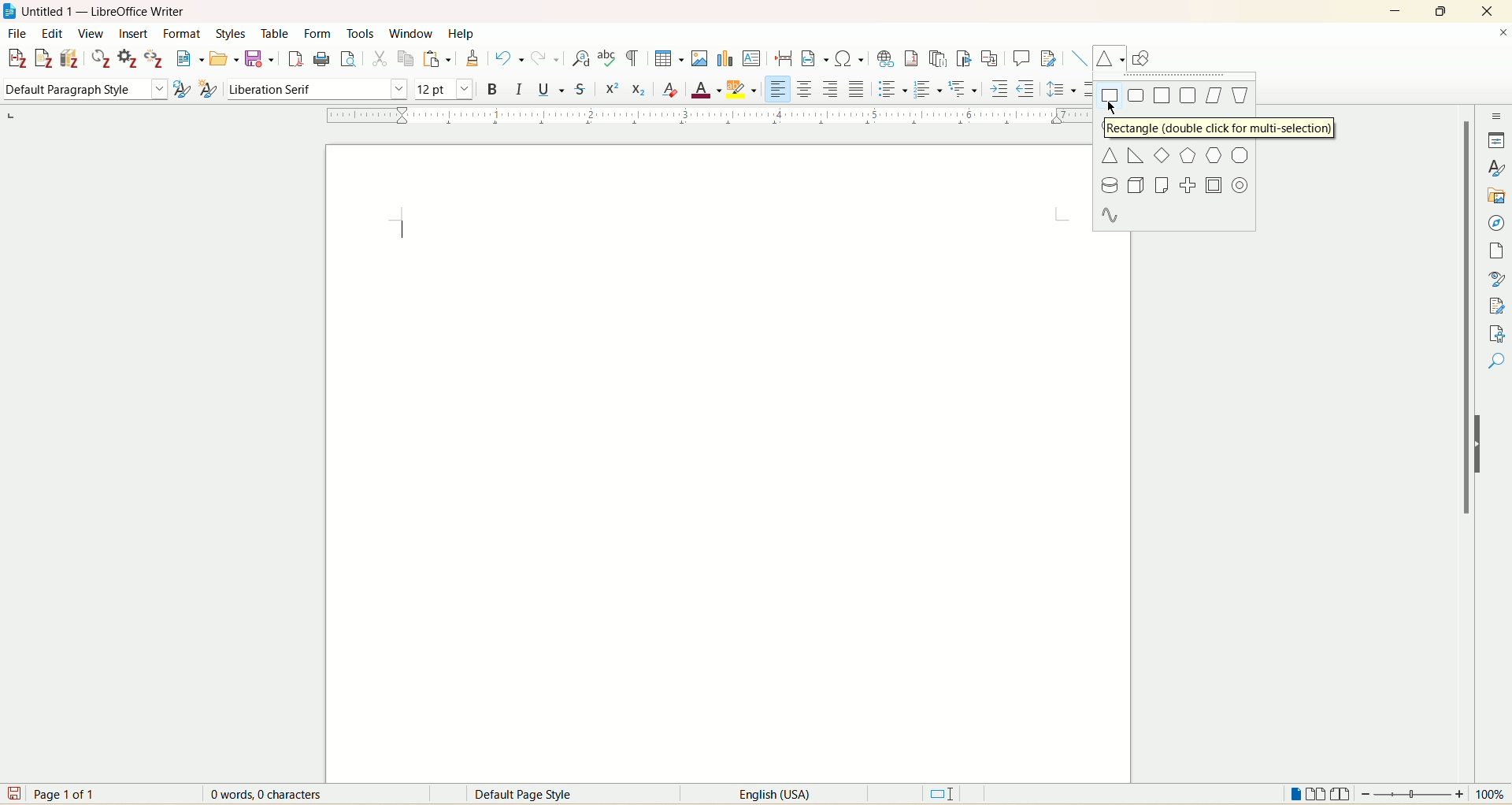 This screenshot has width=1512, height=805. What do you see at coordinates (1497, 362) in the screenshot?
I see `find` at bounding box center [1497, 362].